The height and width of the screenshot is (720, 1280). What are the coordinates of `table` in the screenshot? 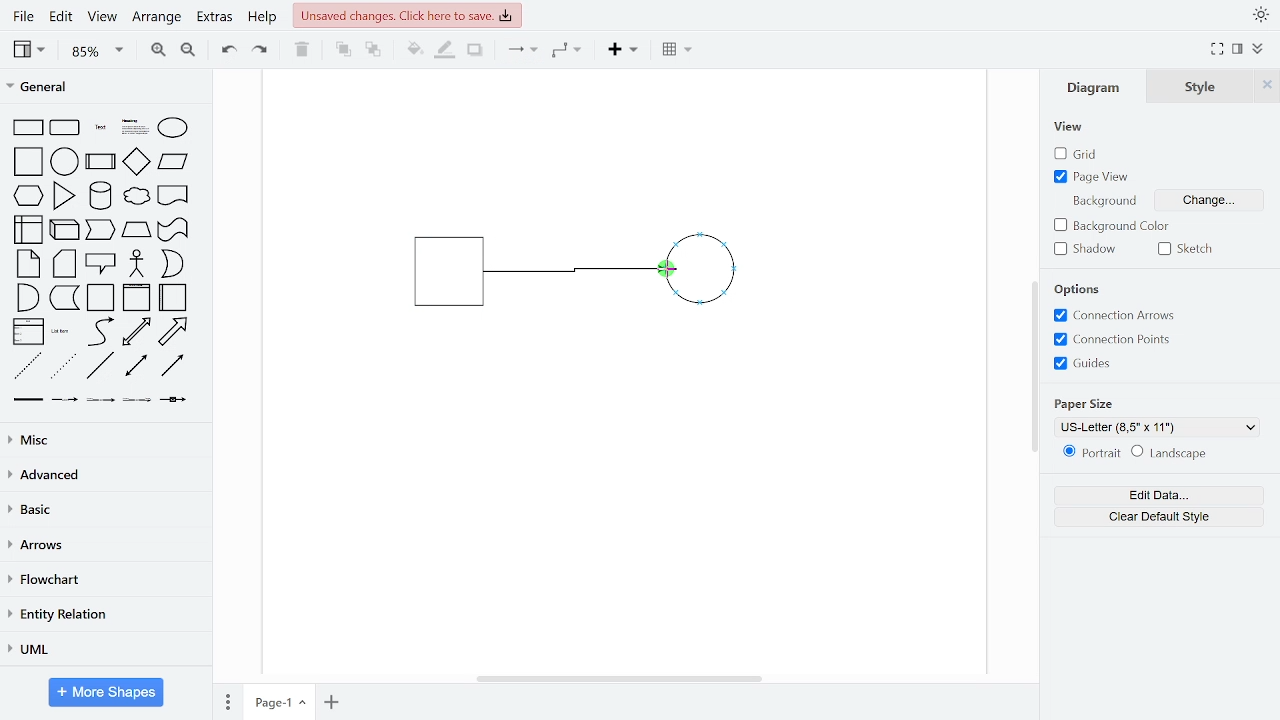 It's located at (679, 51).